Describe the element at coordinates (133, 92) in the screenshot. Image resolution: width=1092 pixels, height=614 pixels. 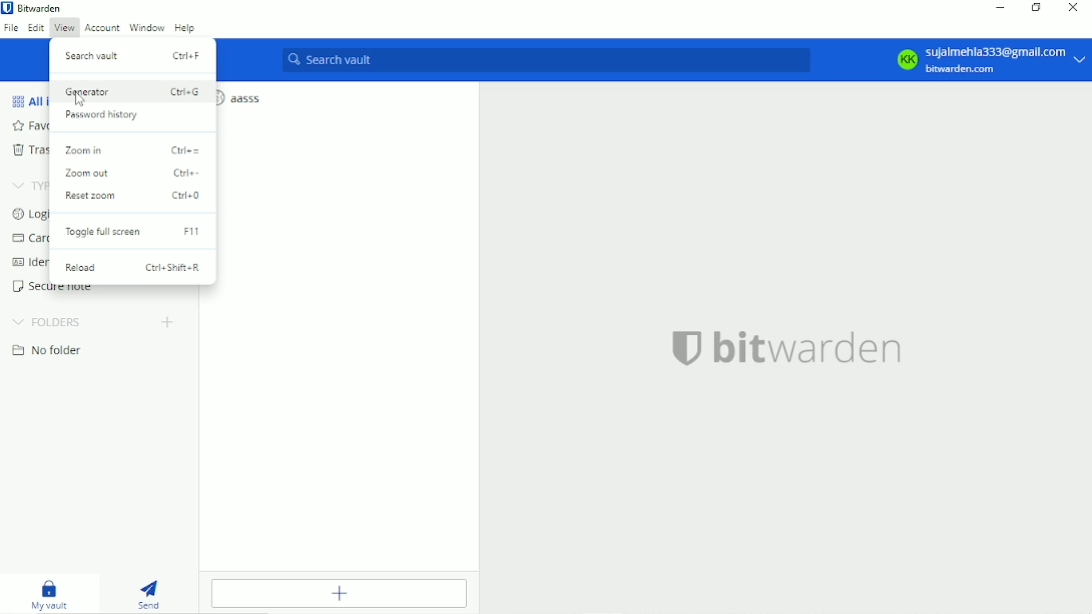
I see `Generator` at that location.